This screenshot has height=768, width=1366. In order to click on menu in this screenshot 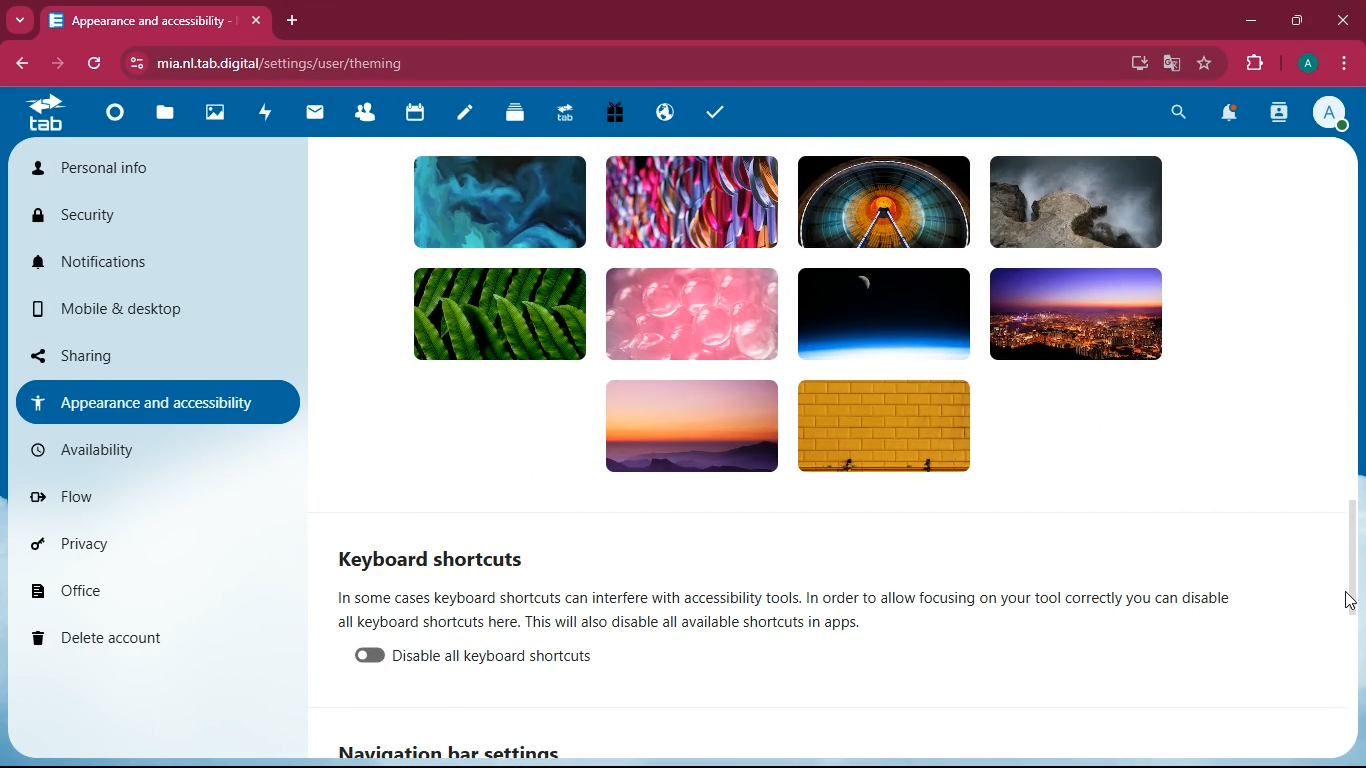, I will do `click(1341, 62)`.